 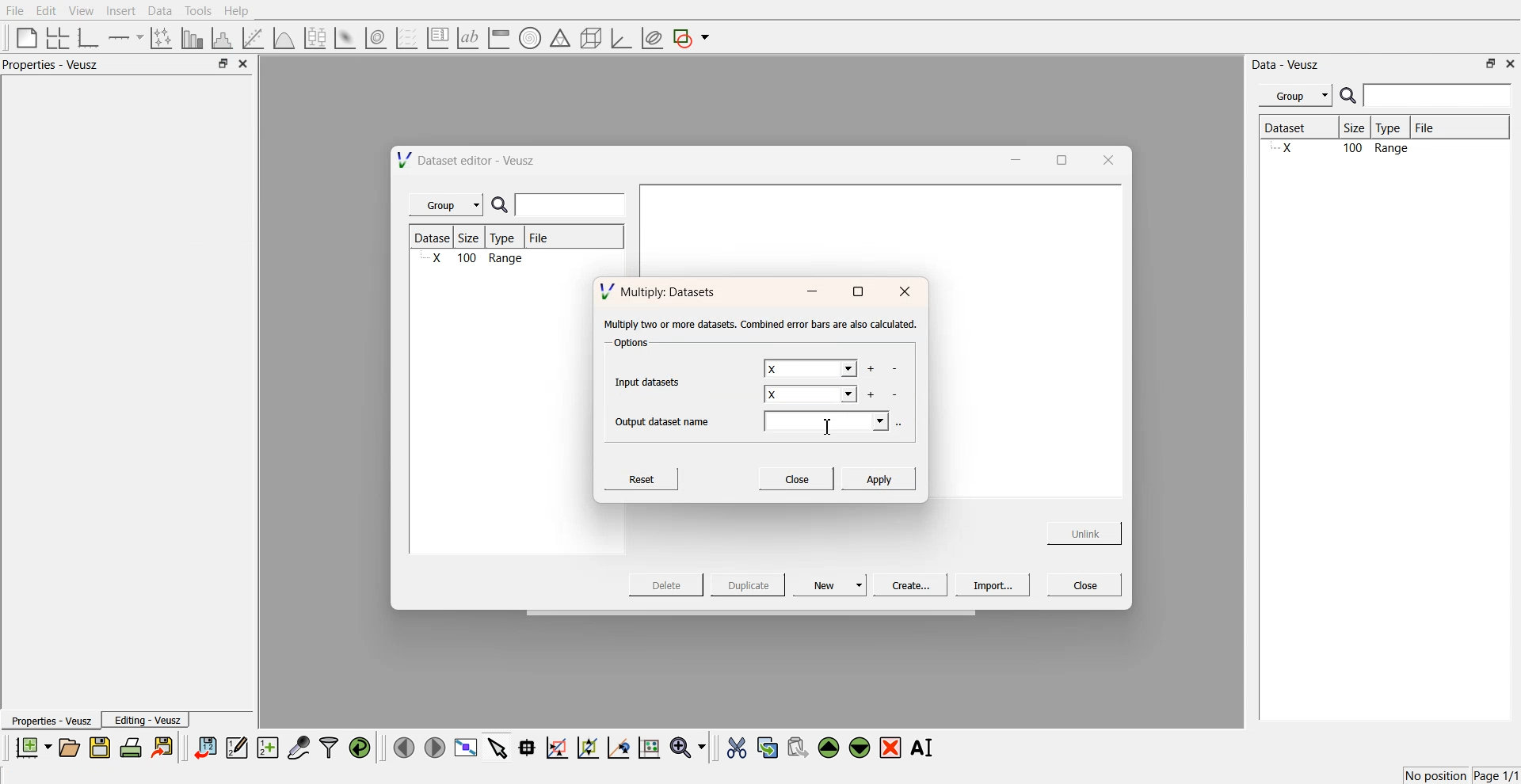 What do you see at coordinates (244, 64) in the screenshot?
I see `close` at bounding box center [244, 64].